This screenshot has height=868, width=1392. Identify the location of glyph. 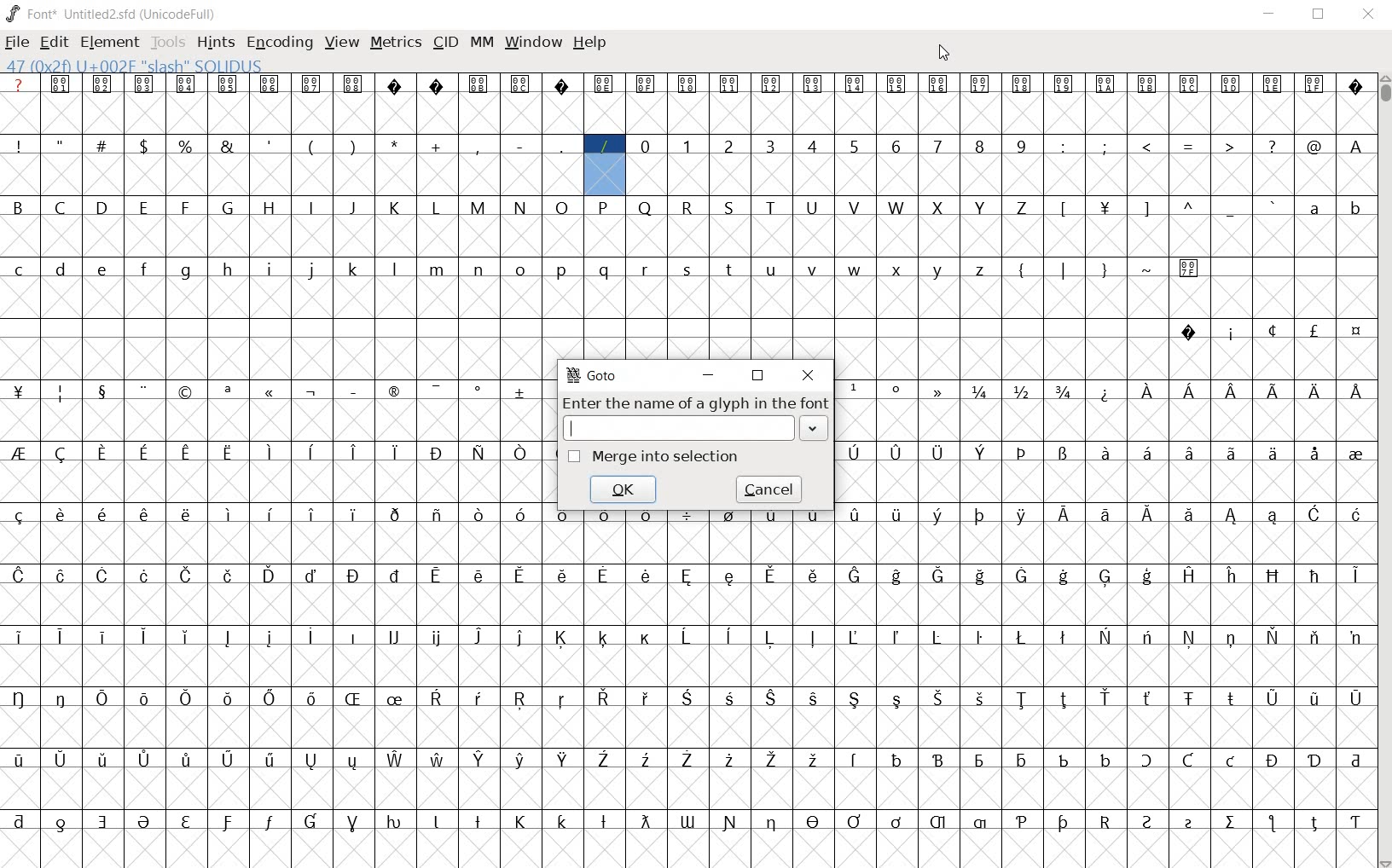
(521, 575).